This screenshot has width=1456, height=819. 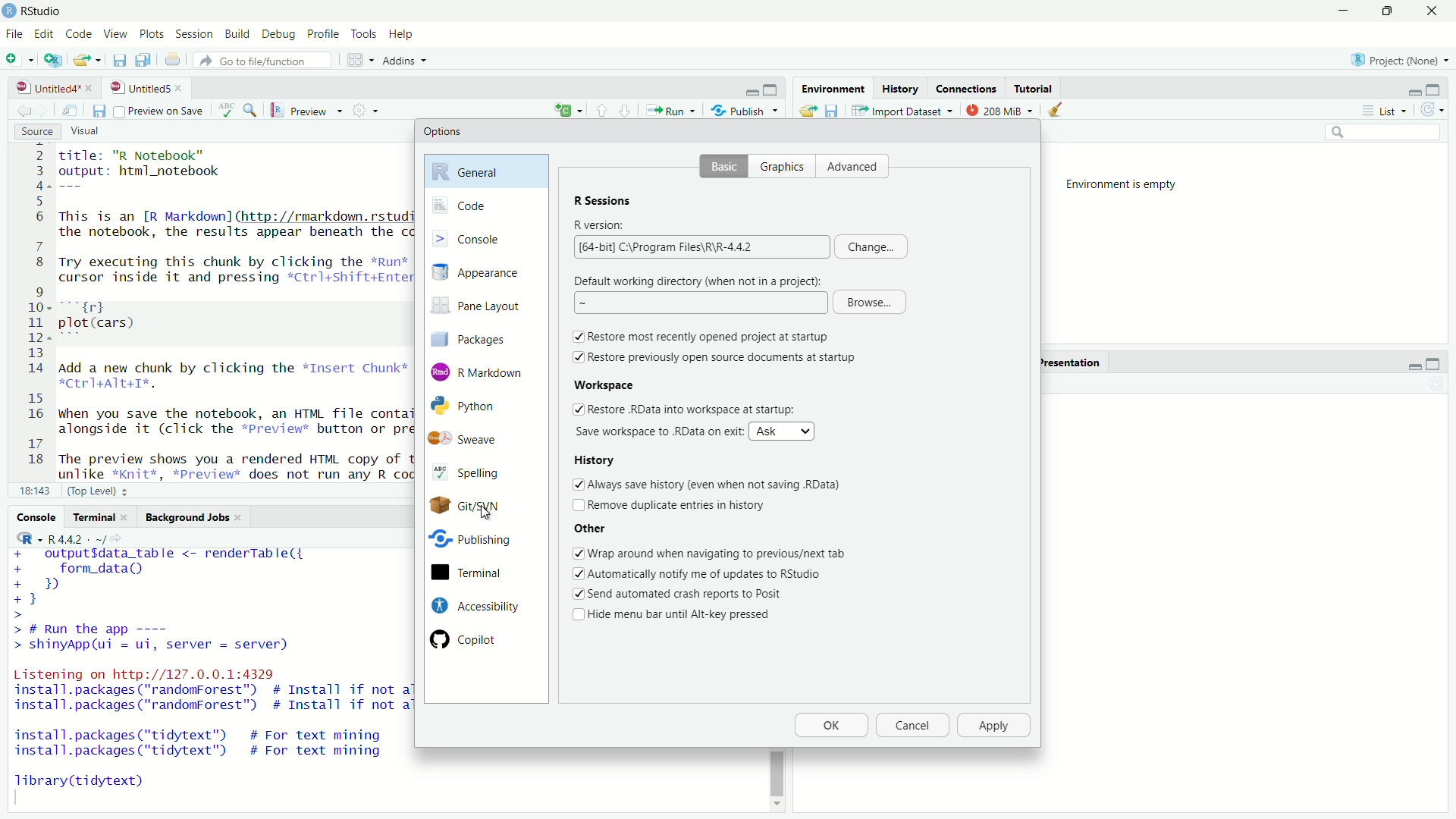 What do you see at coordinates (576, 616) in the screenshot?
I see `check box` at bounding box center [576, 616].